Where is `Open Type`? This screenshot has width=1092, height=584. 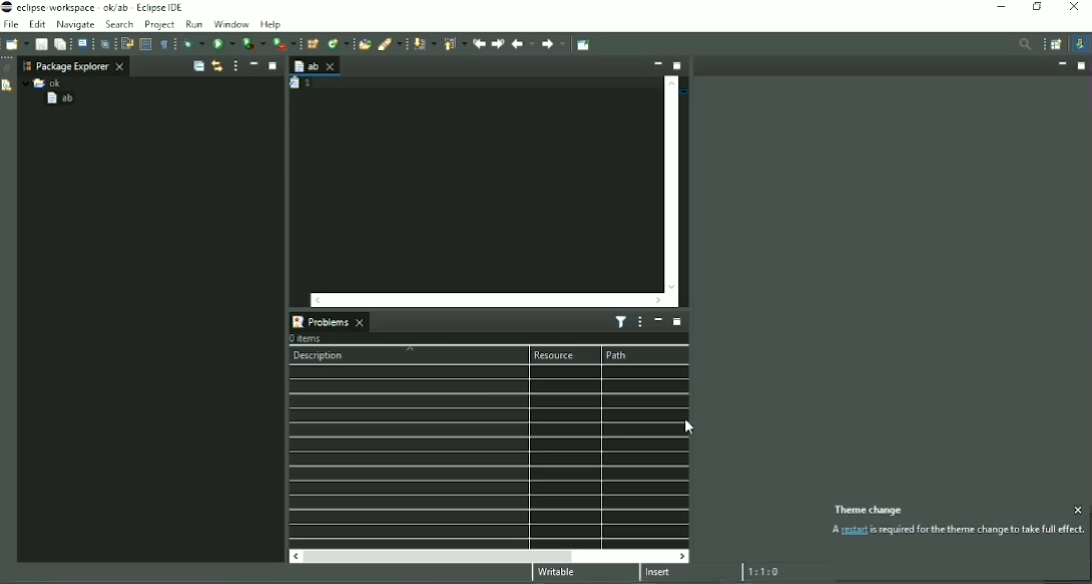
Open Type is located at coordinates (364, 45).